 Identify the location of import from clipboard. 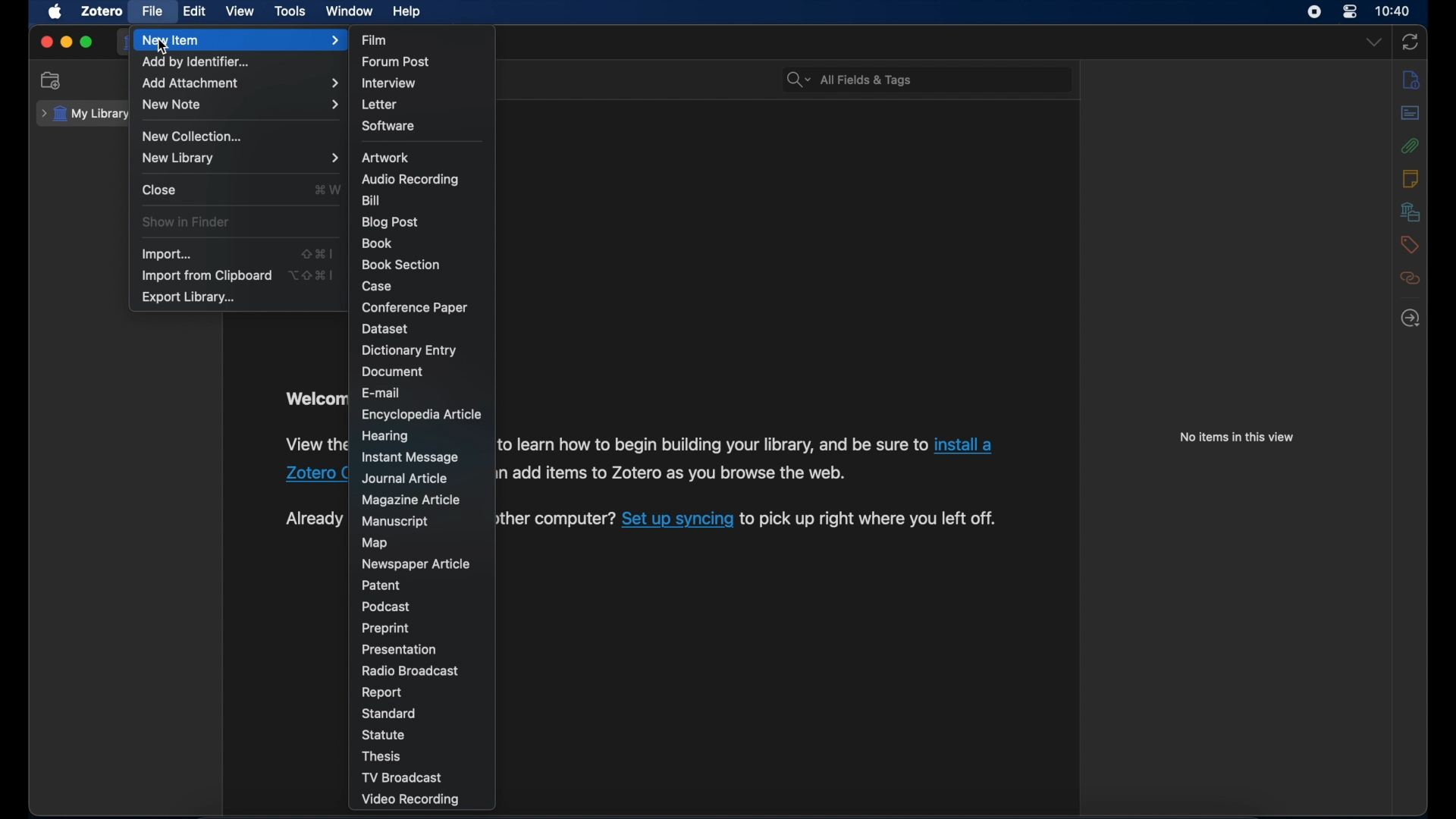
(206, 275).